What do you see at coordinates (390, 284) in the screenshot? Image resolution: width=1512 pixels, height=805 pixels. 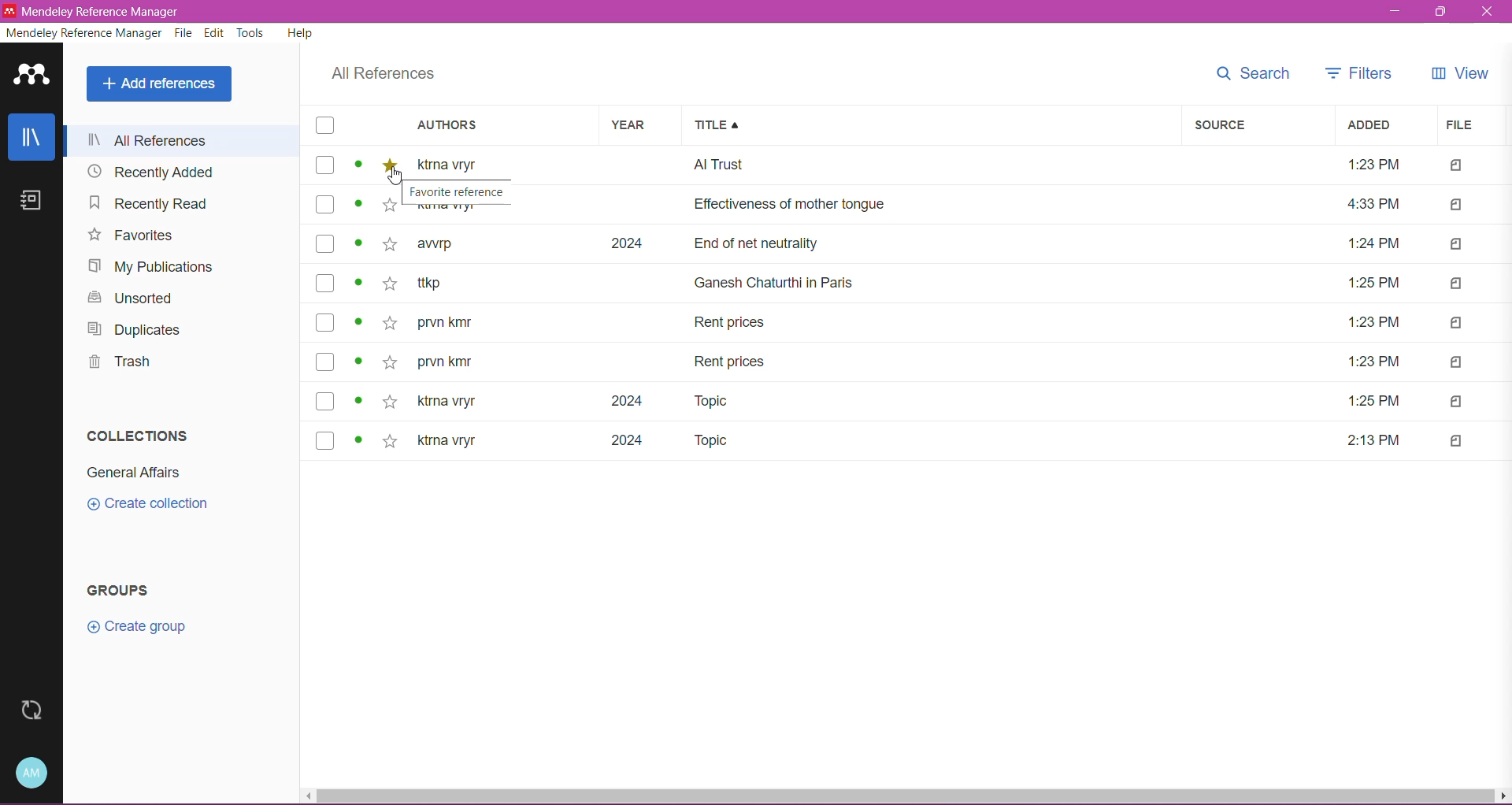 I see `Add to favorite` at bounding box center [390, 284].